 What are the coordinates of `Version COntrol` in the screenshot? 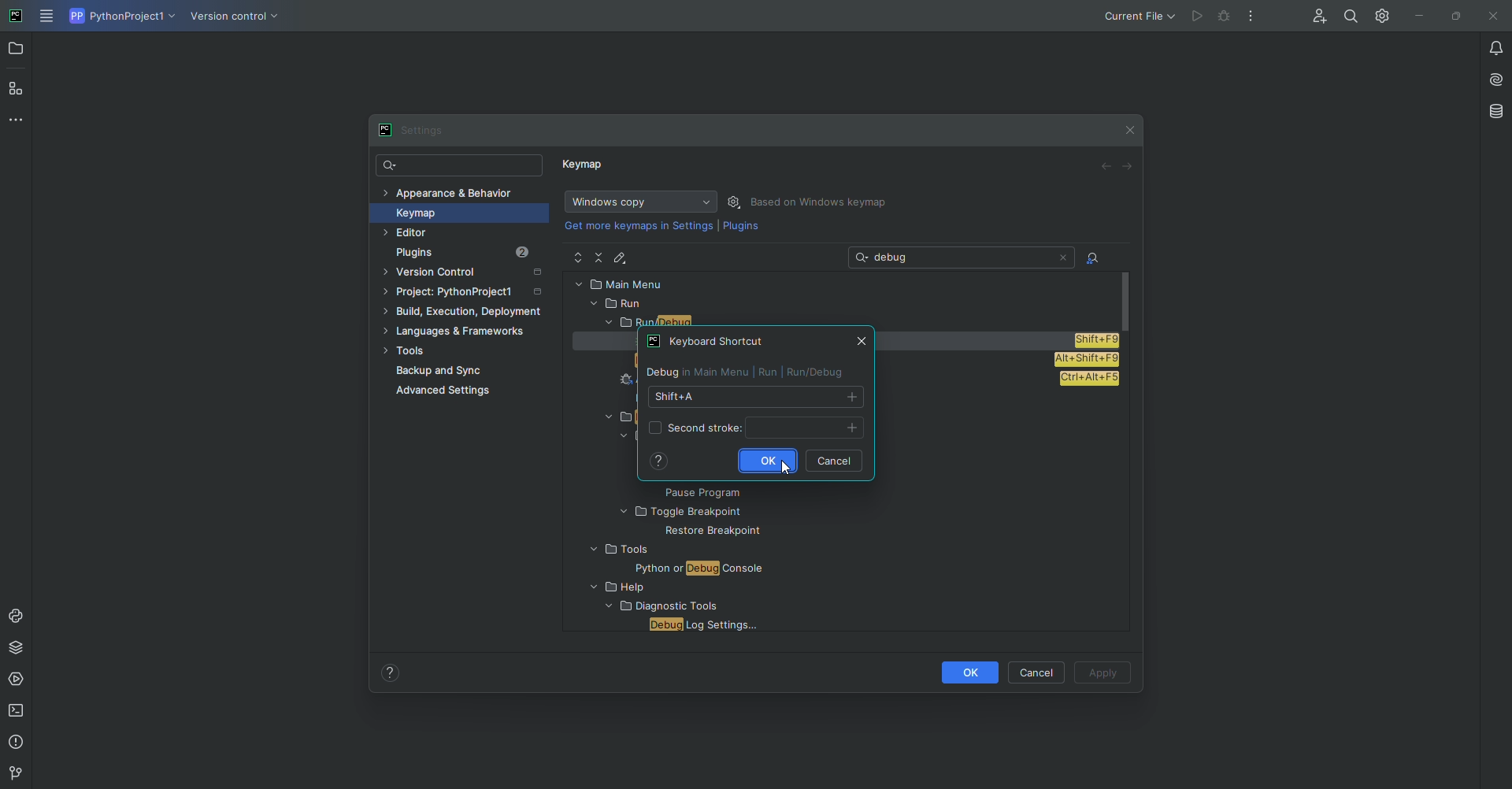 It's located at (238, 19).